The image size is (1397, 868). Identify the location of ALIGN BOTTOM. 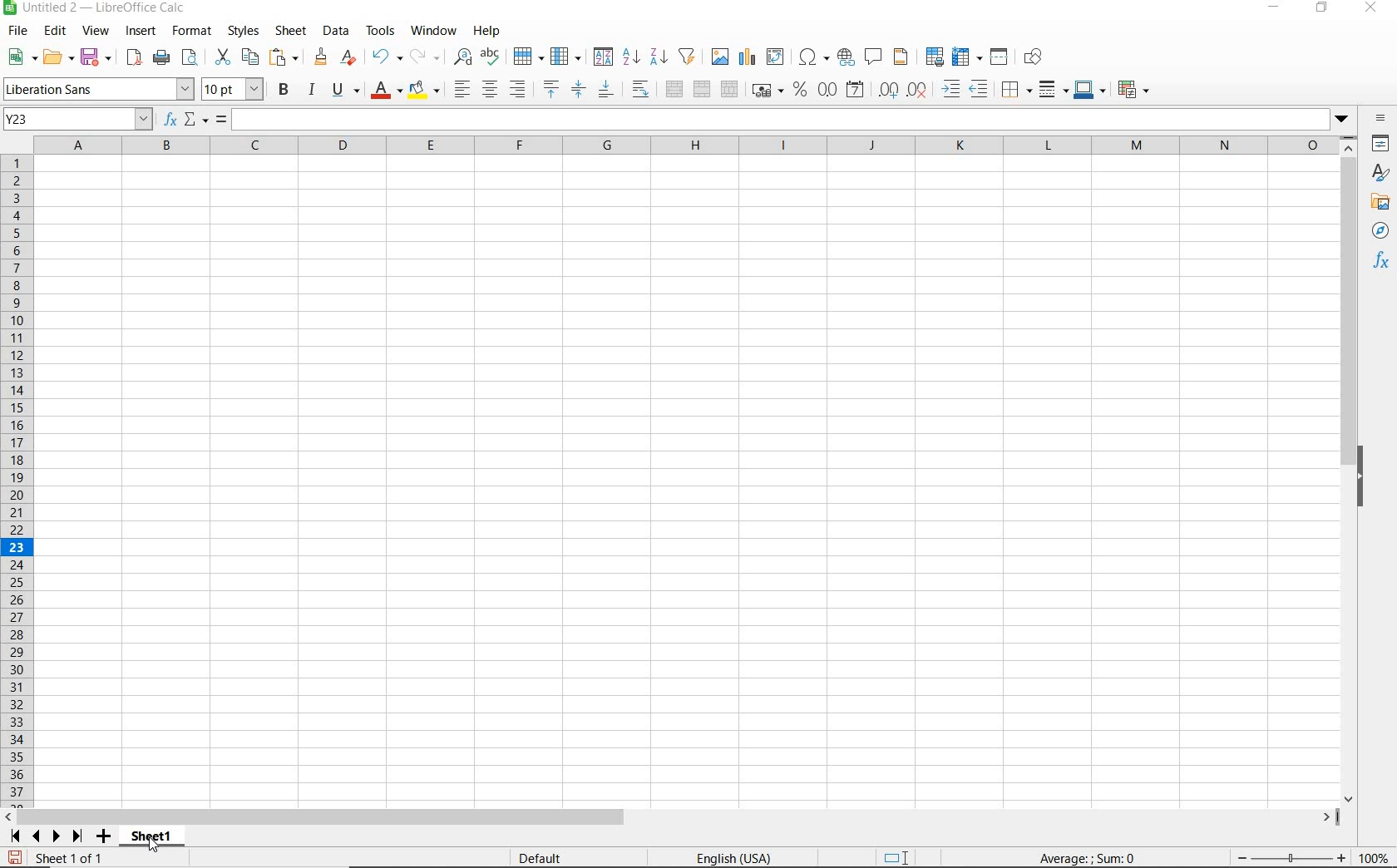
(605, 91).